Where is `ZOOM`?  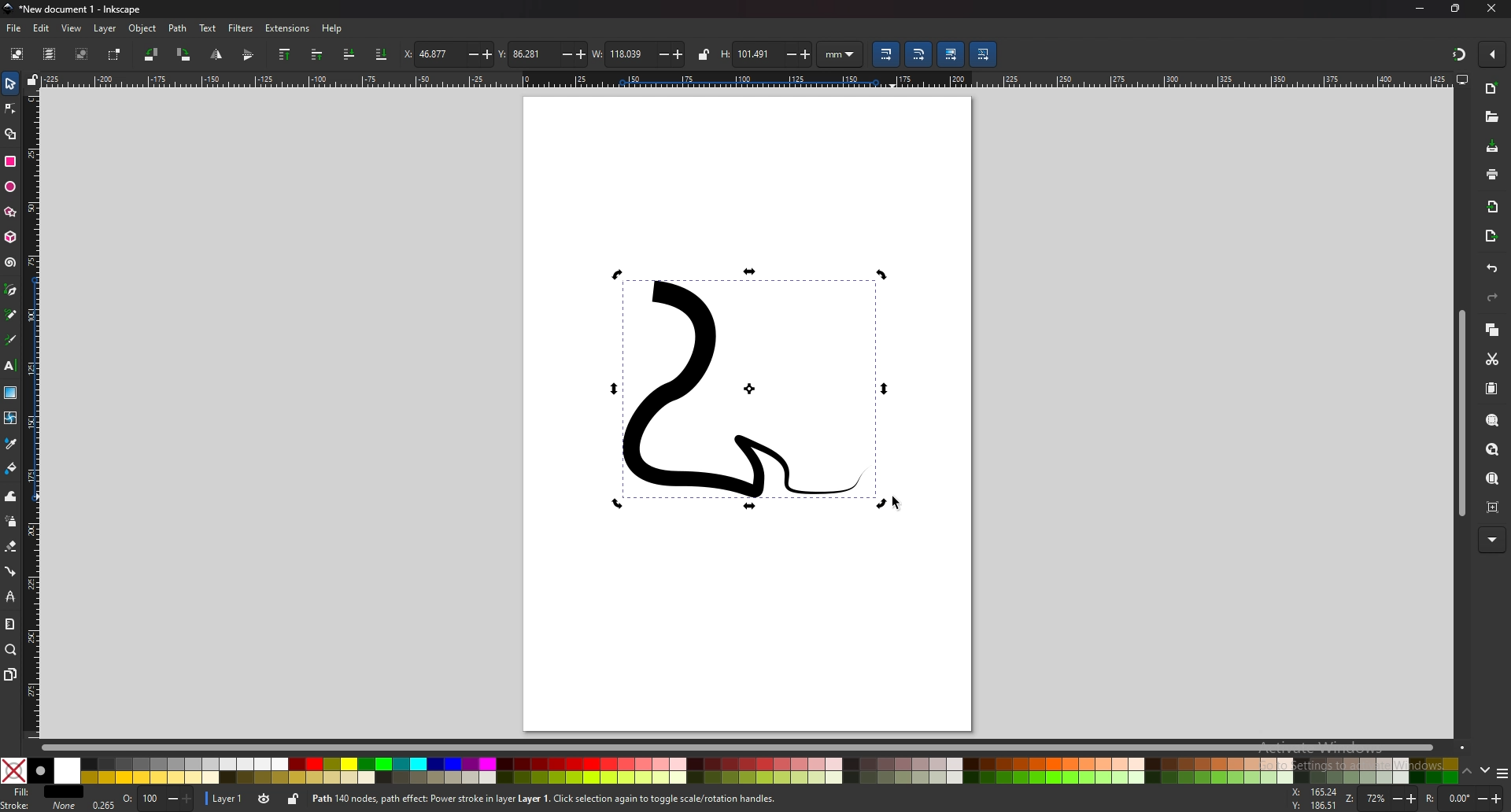
ZOOM is located at coordinates (1383, 798).